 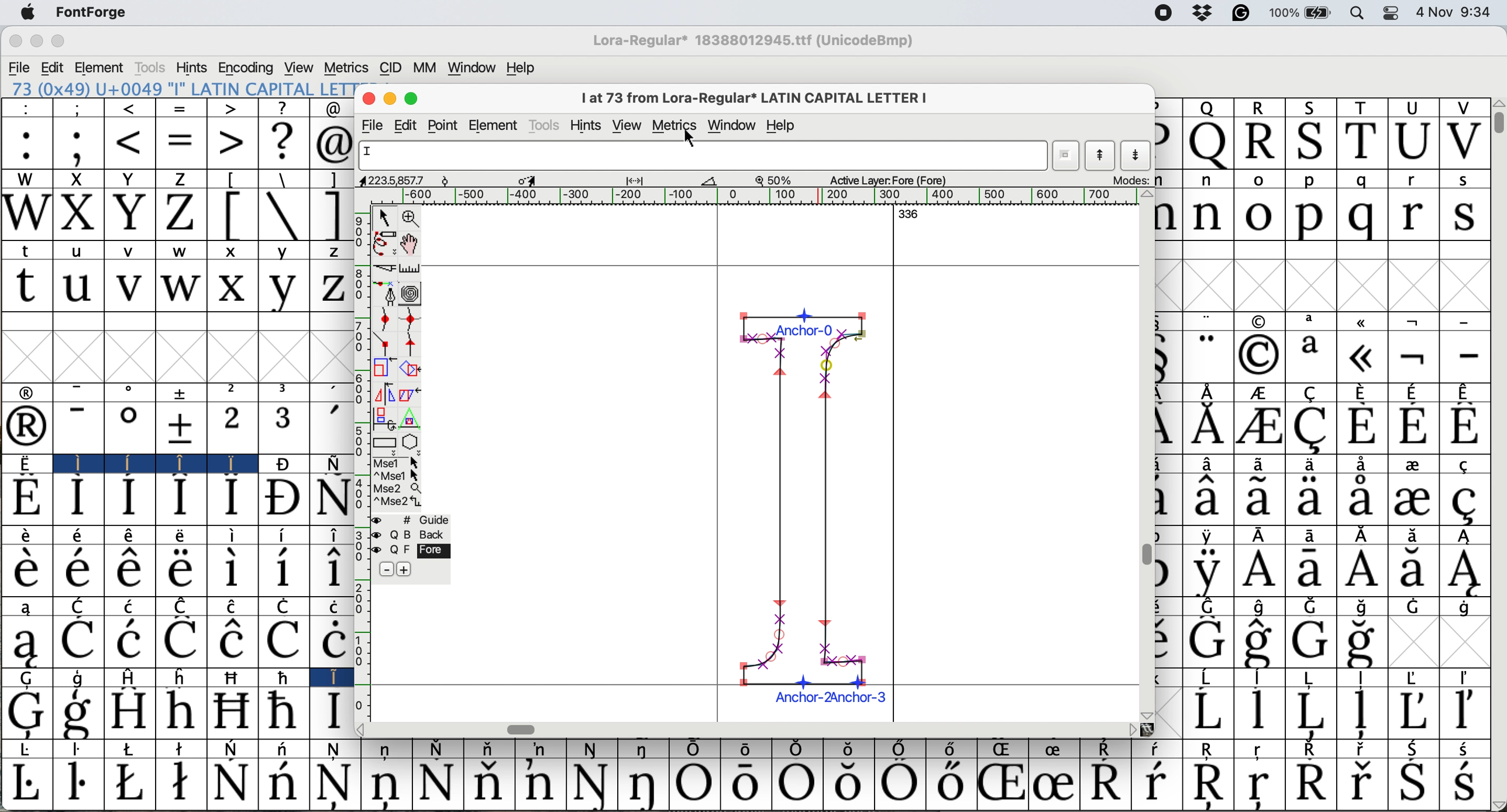 I want to click on Y, so click(x=129, y=180).